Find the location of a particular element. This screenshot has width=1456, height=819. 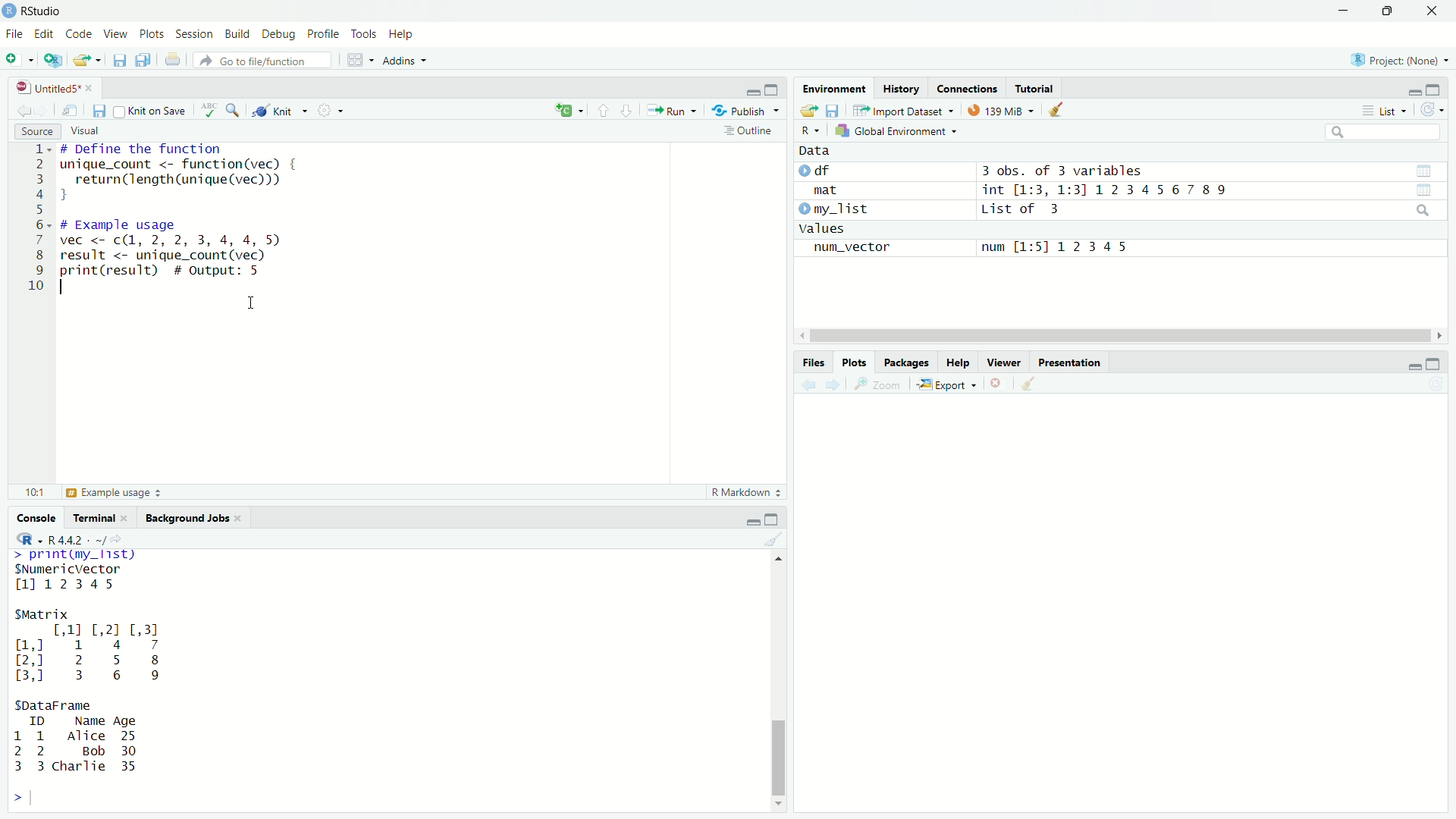

insert new code chunk is located at coordinates (567, 111).